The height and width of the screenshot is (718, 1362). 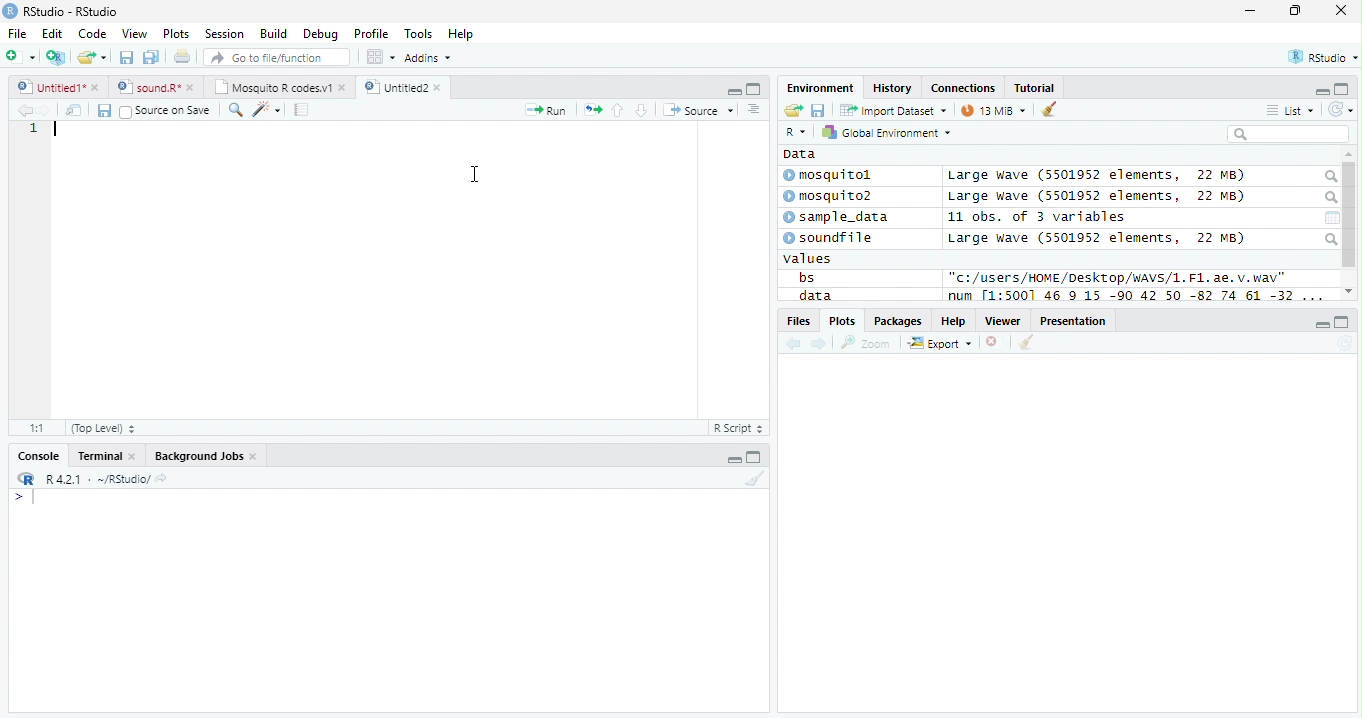 I want to click on sample_data, so click(x=838, y=218).